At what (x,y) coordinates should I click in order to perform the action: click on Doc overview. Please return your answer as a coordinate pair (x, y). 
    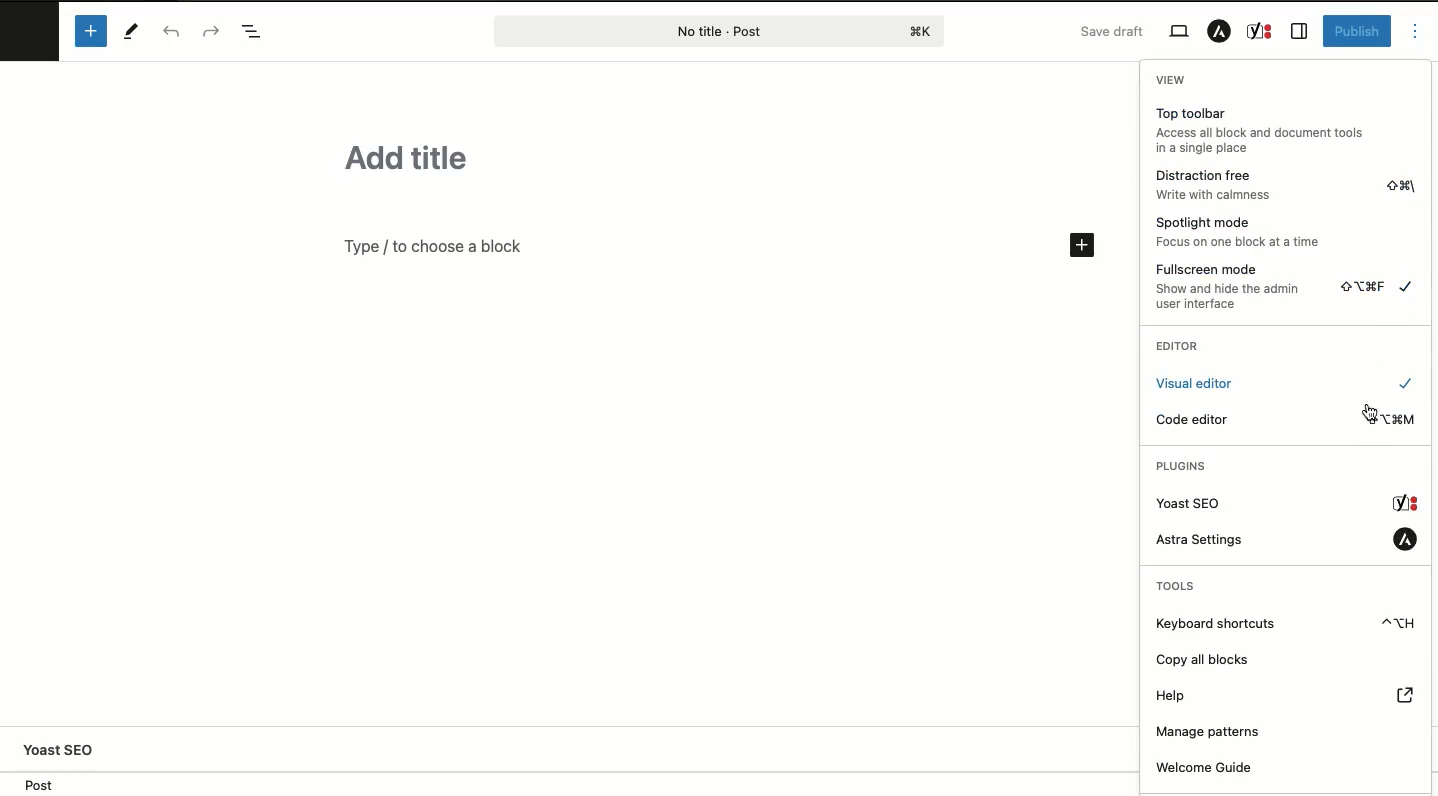
    Looking at the image, I should click on (256, 33).